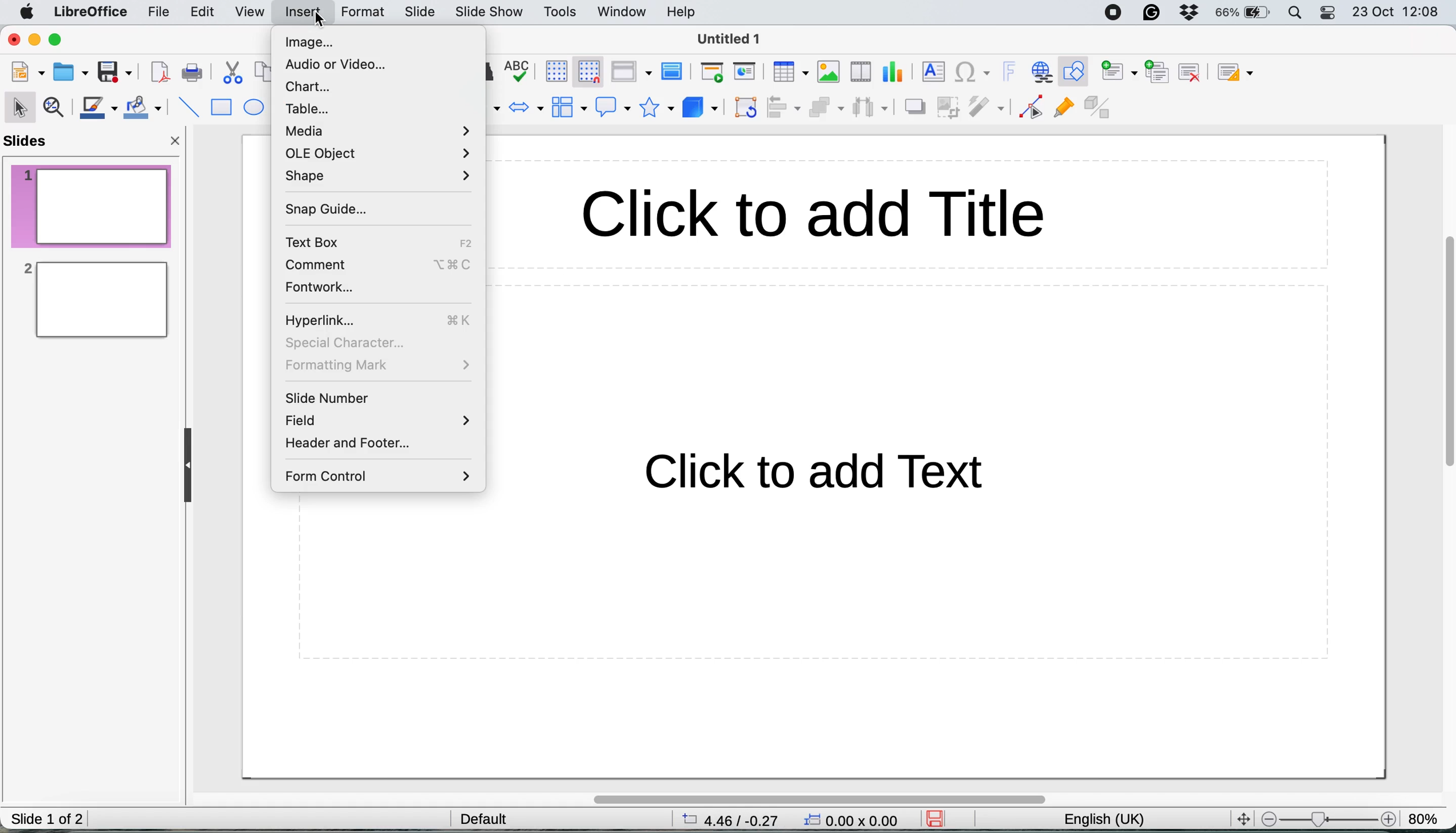  Describe the element at coordinates (931, 71) in the screenshot. I see `insert text` at that location.